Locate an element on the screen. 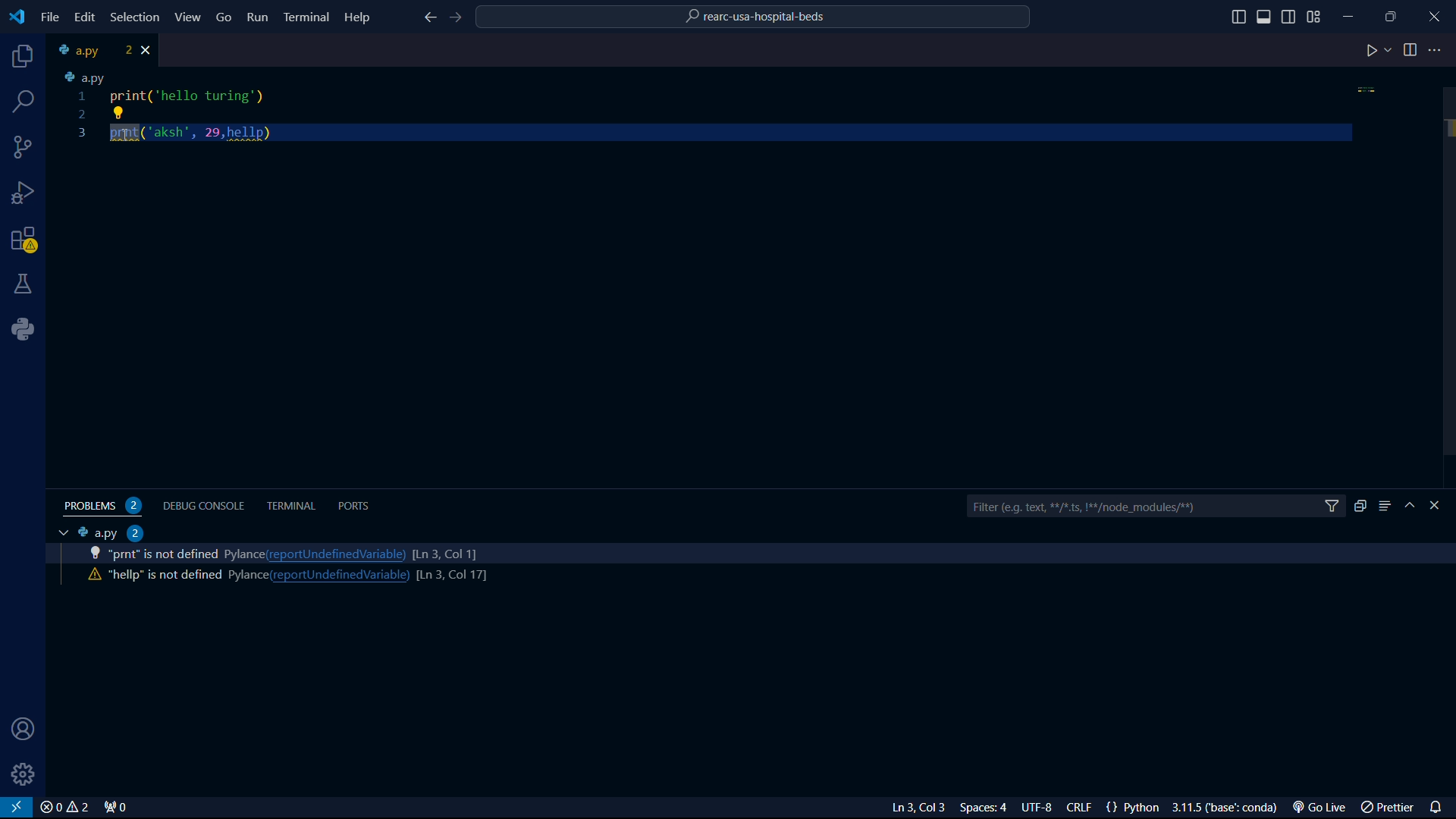 This screenshot has height=819, width=1456. Go Live is located at coordinates (1323, 808).